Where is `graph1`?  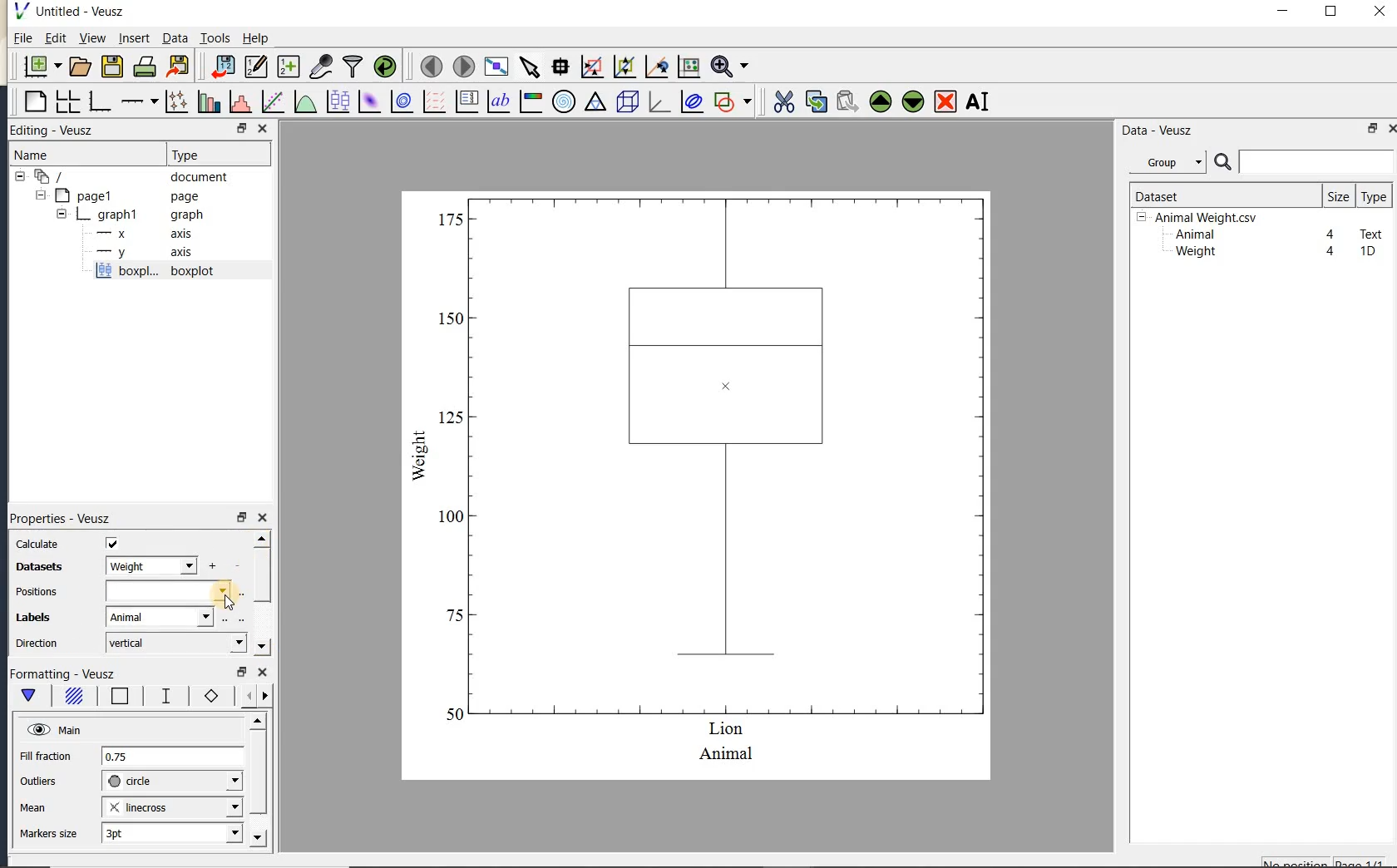
graph1 is located at coordinates (122, 215).